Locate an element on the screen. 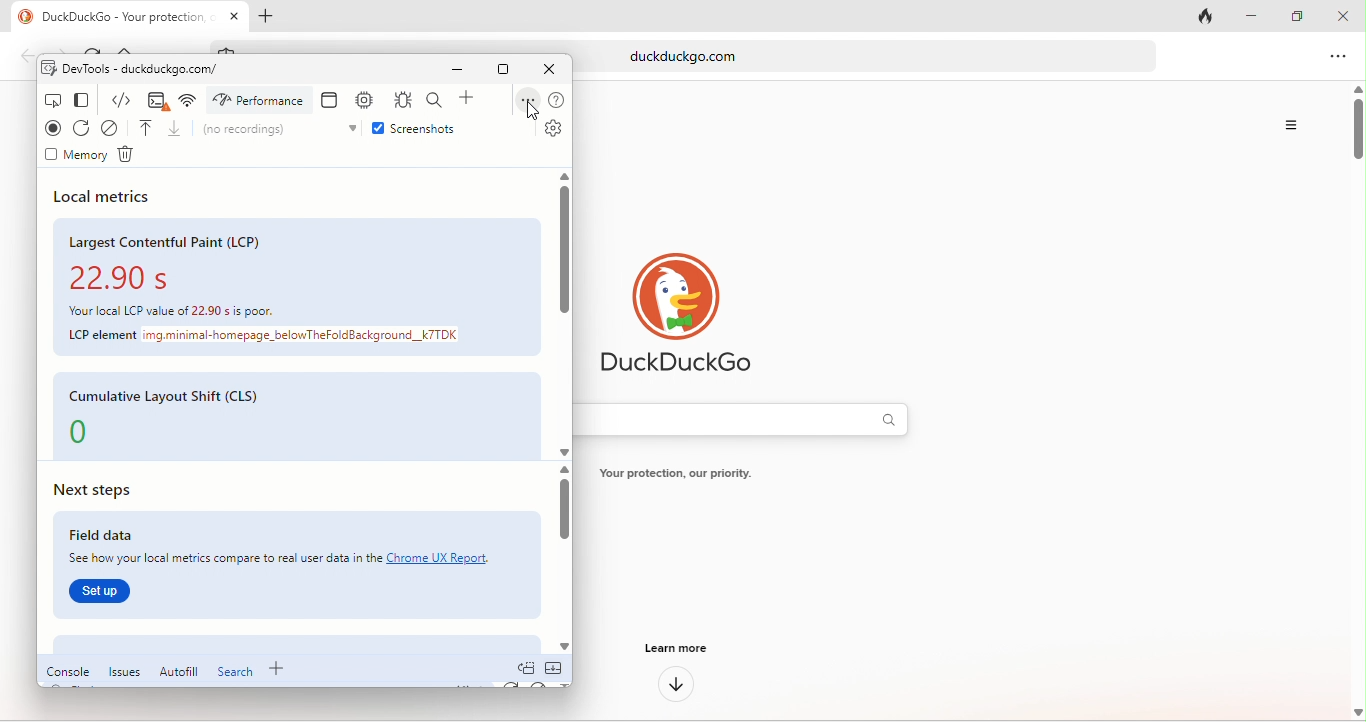 Image resolution: width=1366 pixels, height=722 pixels. autofill is located at coordinates (176, 667).